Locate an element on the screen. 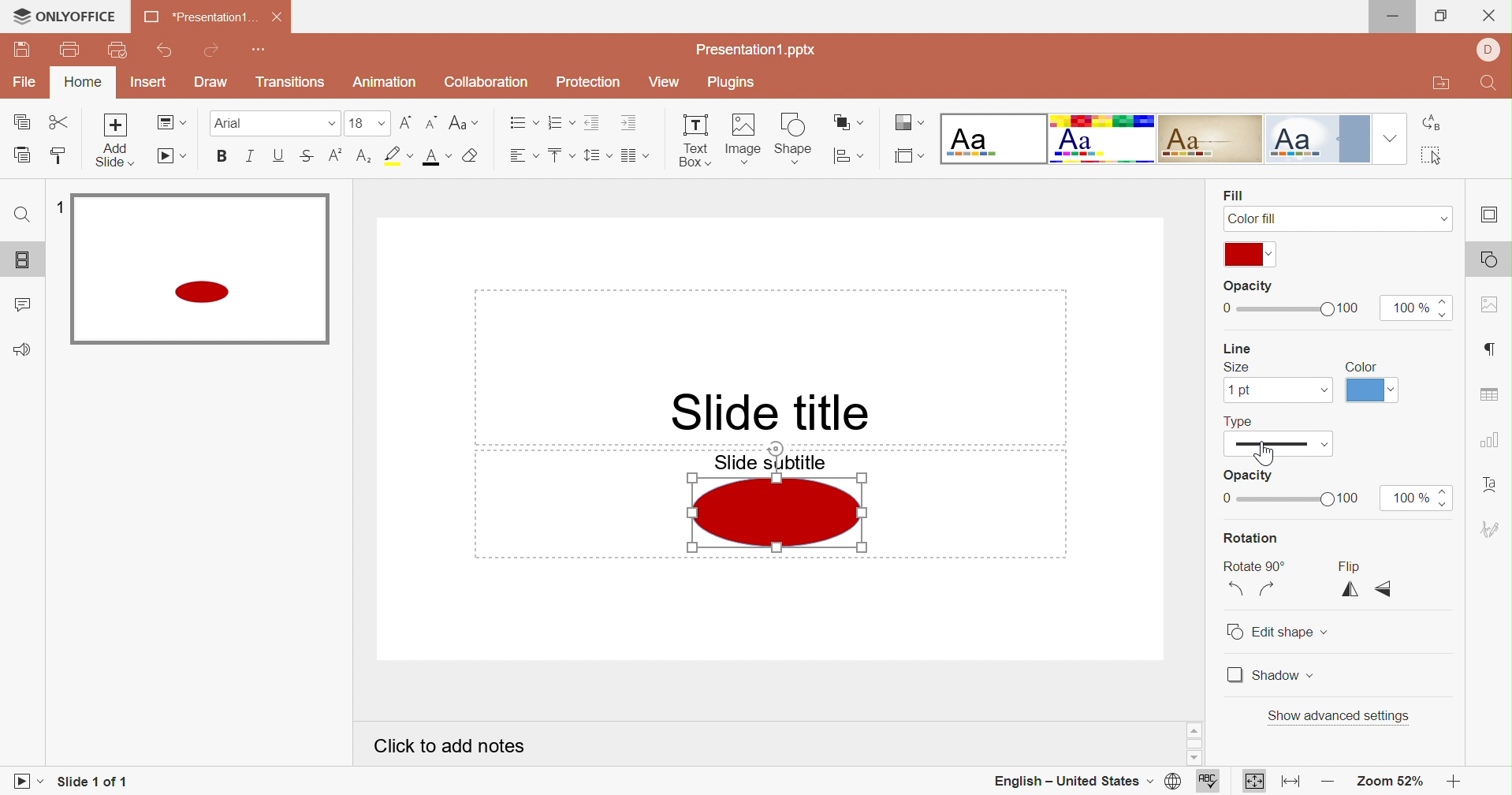  Copy style is located at coordinates (60, 155).